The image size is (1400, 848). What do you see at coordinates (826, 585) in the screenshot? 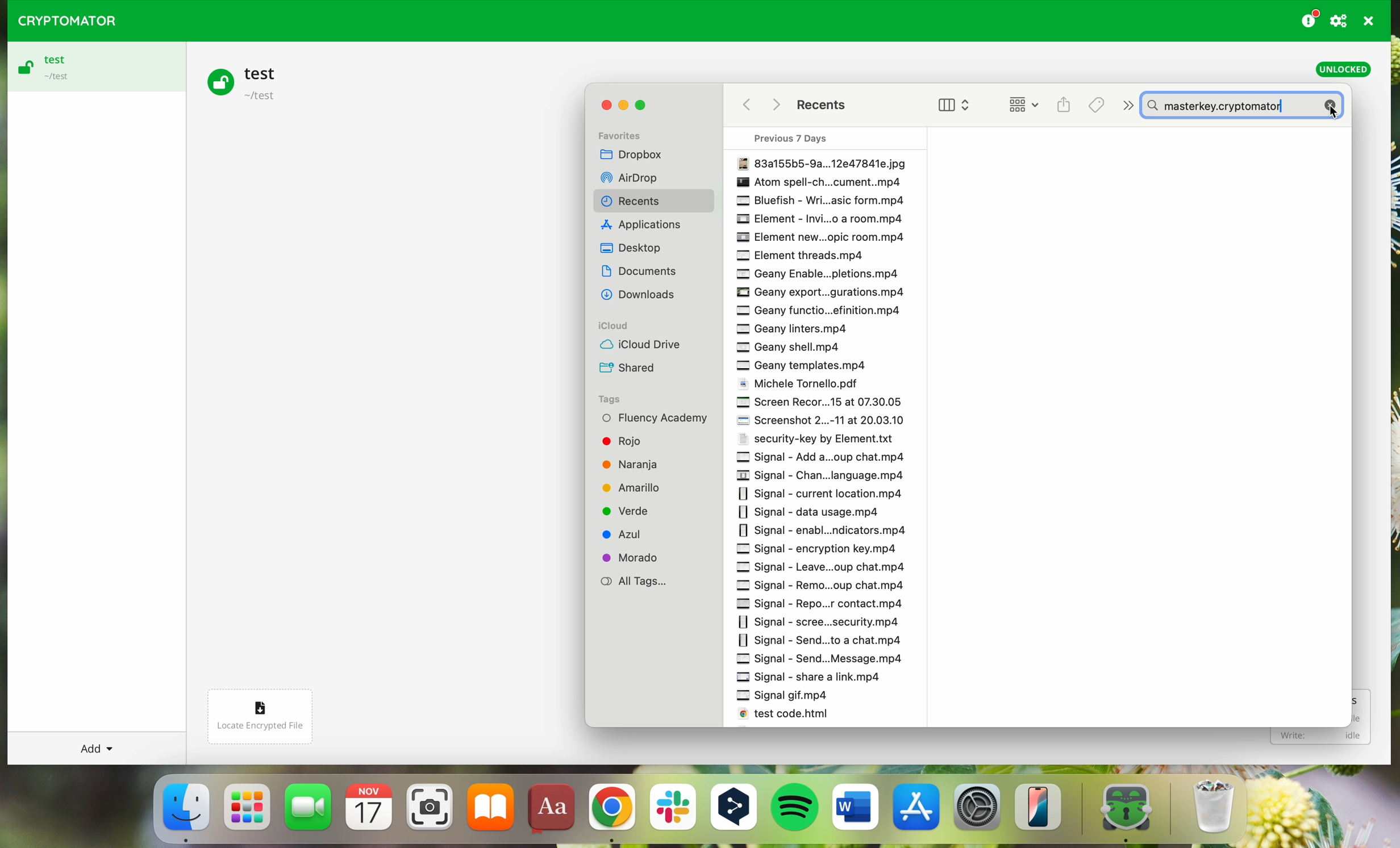
I see `Signal Remo` at bounding box center [826, 585].